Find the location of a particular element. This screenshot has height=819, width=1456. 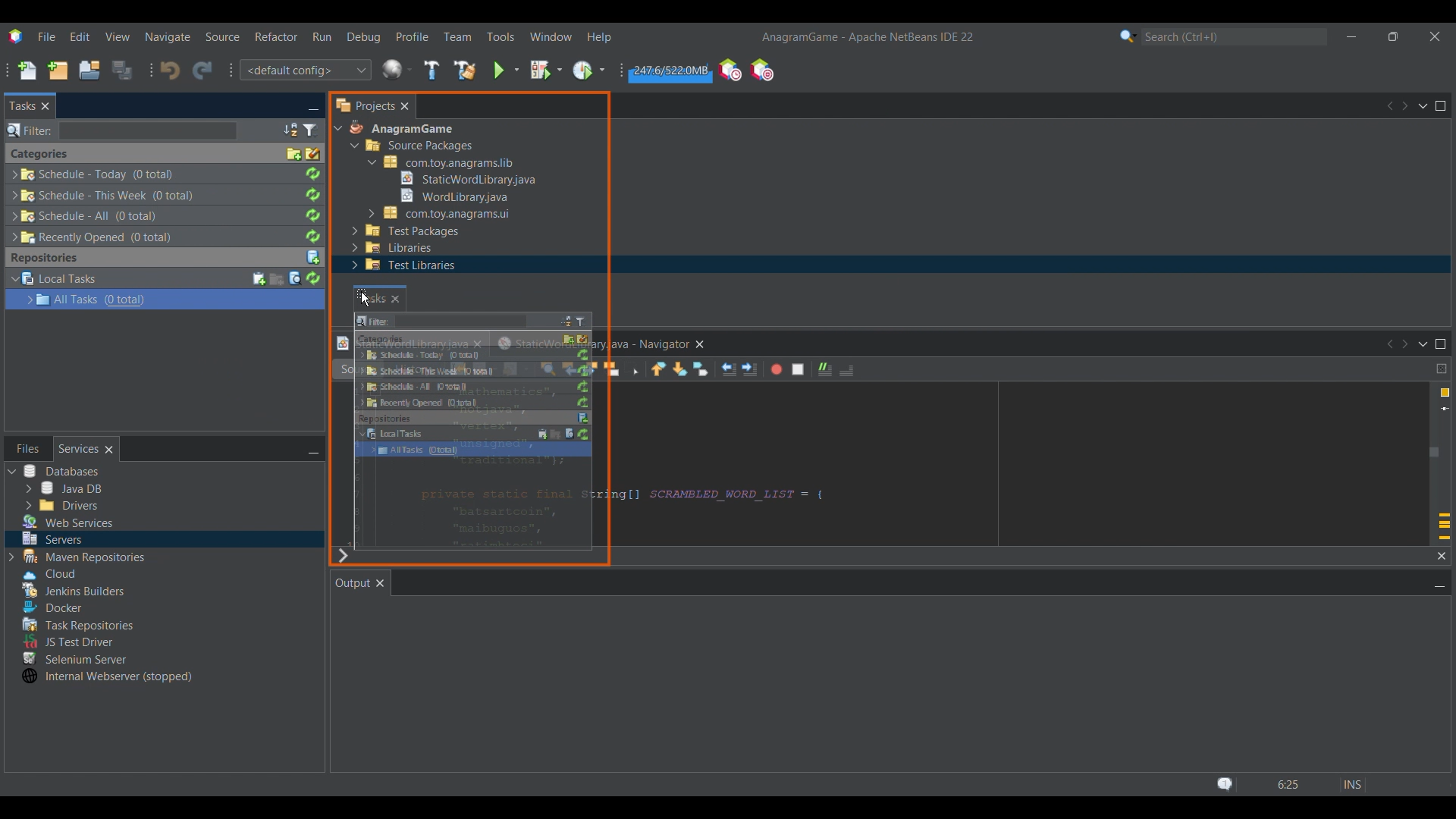

Run main project is located at coordinates (506, 71).